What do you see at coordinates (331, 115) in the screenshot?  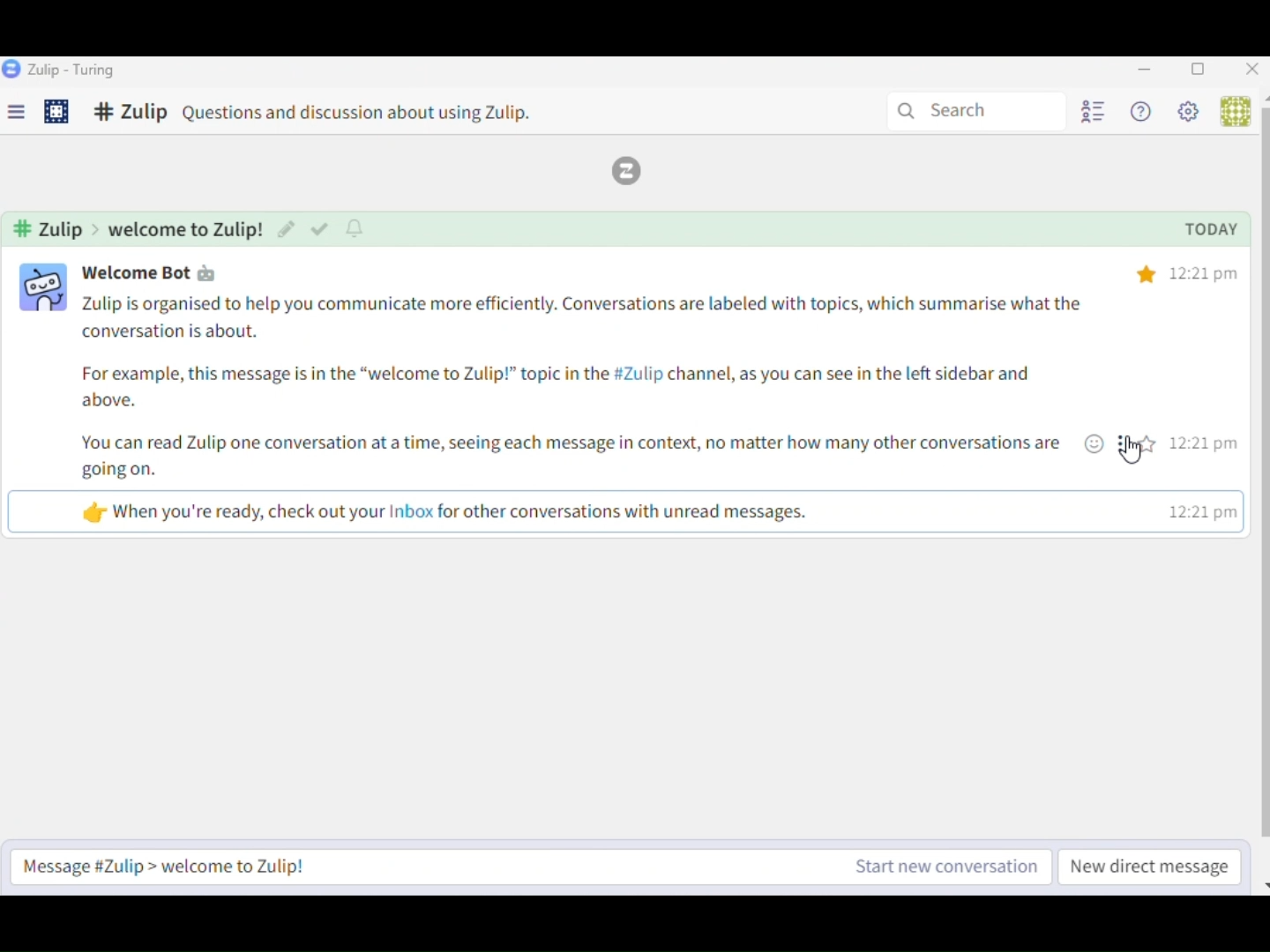 I see `Comment` at bounding box center [331, 115].